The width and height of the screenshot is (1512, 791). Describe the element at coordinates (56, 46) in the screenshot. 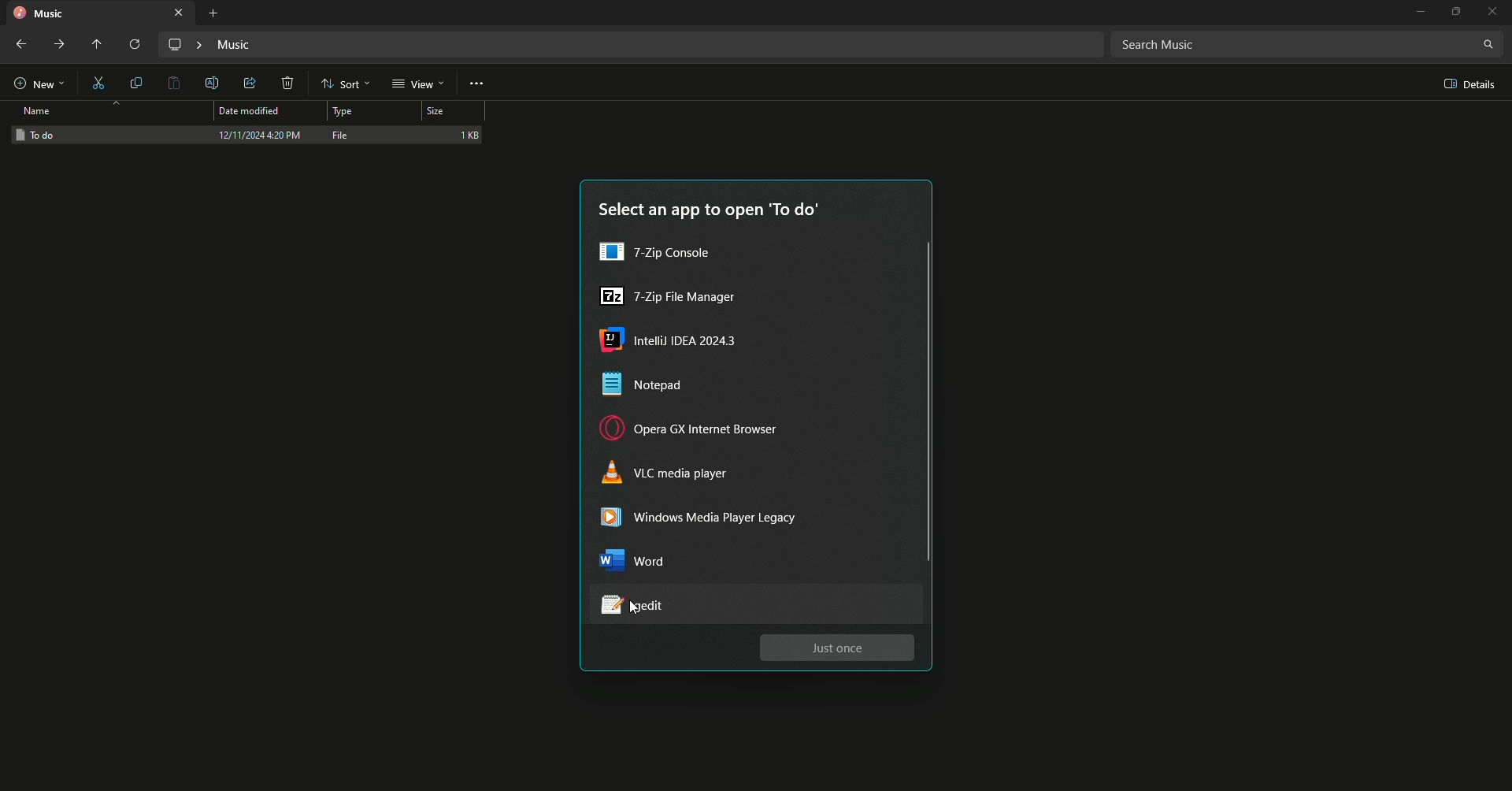

I see `Forward` at that location.